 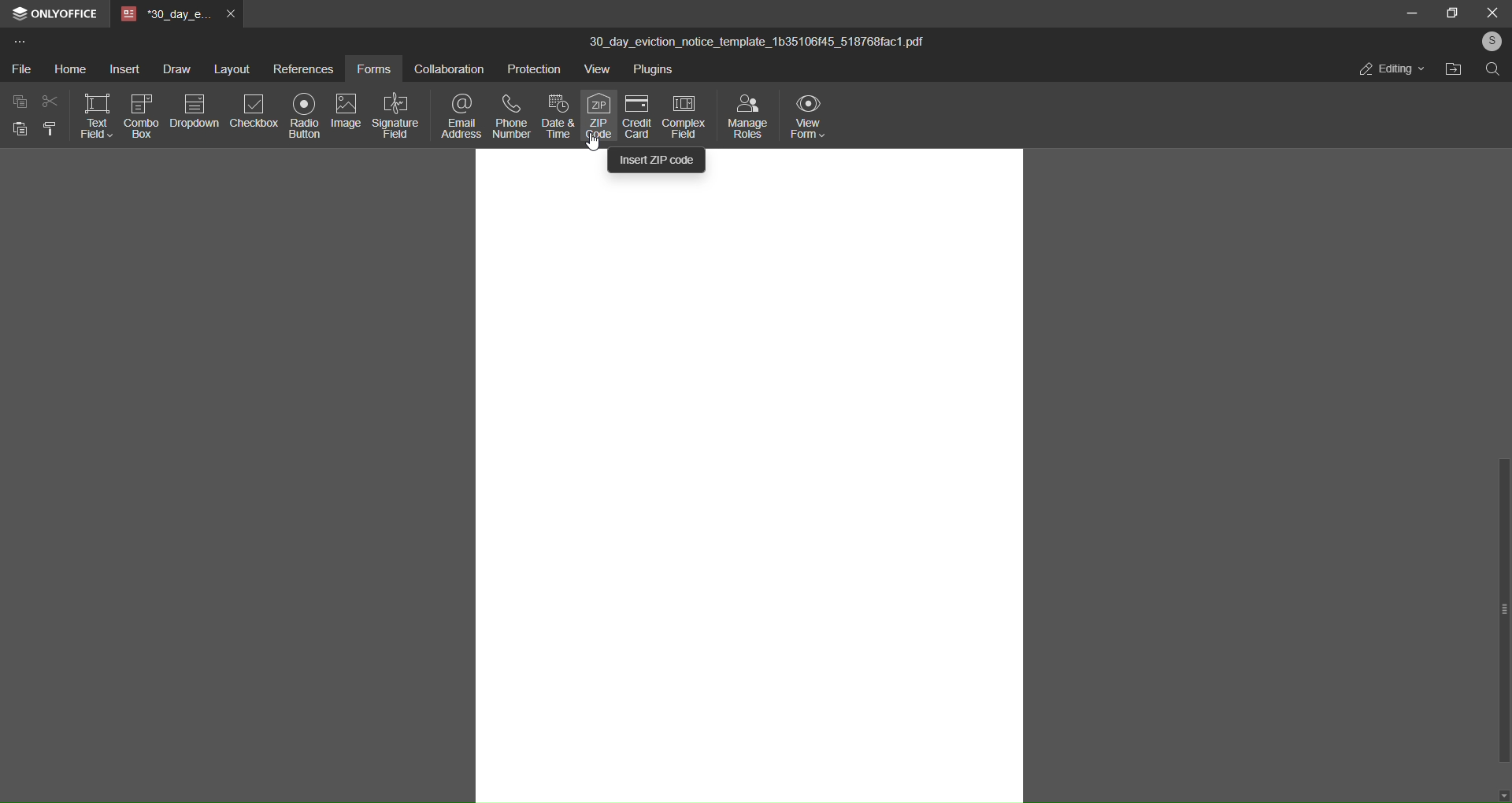 What do you see at coordinates (20, 103) in the screenshot?
I see `copy` at bounding box center [20, 103].